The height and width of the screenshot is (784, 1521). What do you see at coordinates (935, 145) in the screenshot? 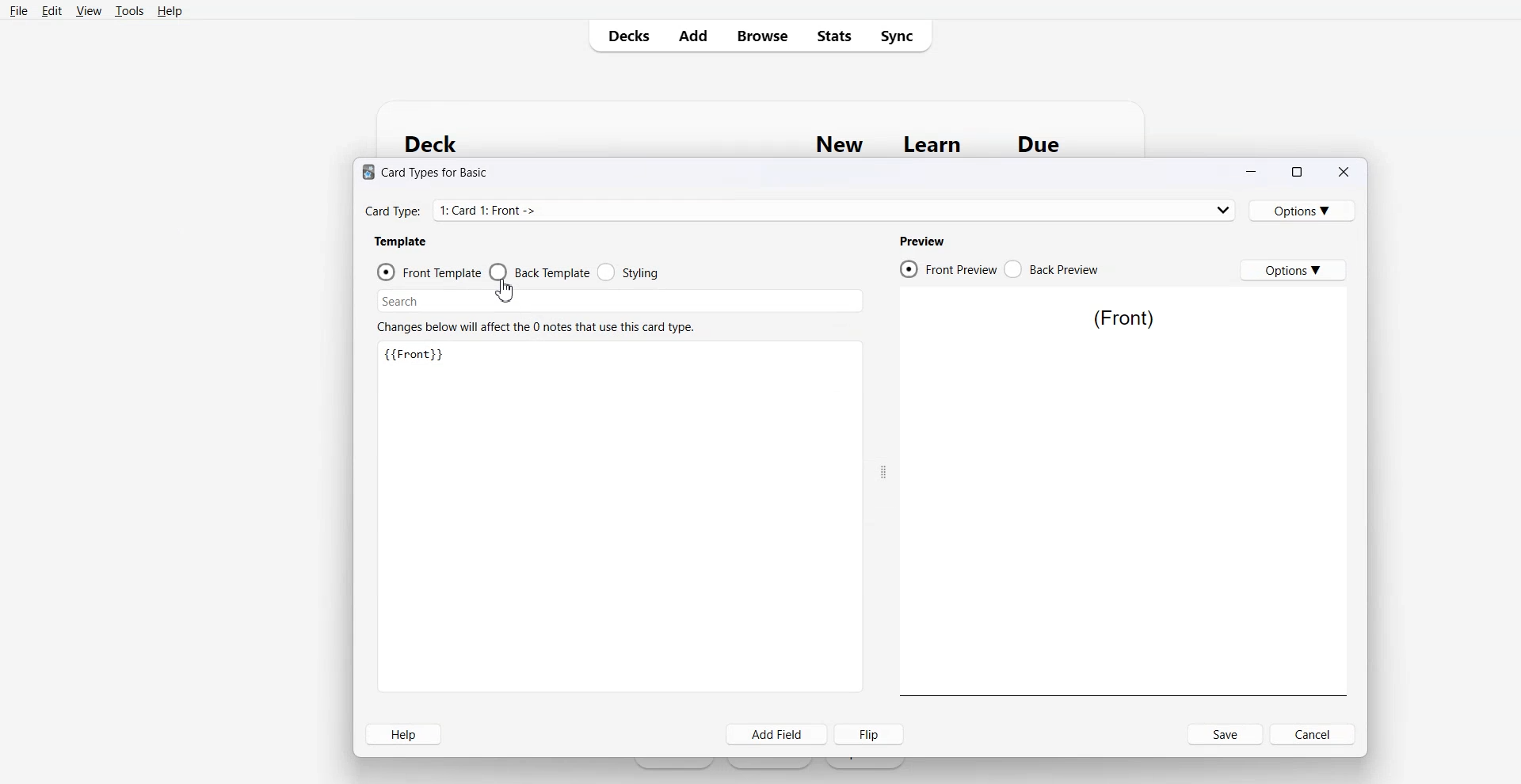
I see `Learn` at bounding box center [935, 145].